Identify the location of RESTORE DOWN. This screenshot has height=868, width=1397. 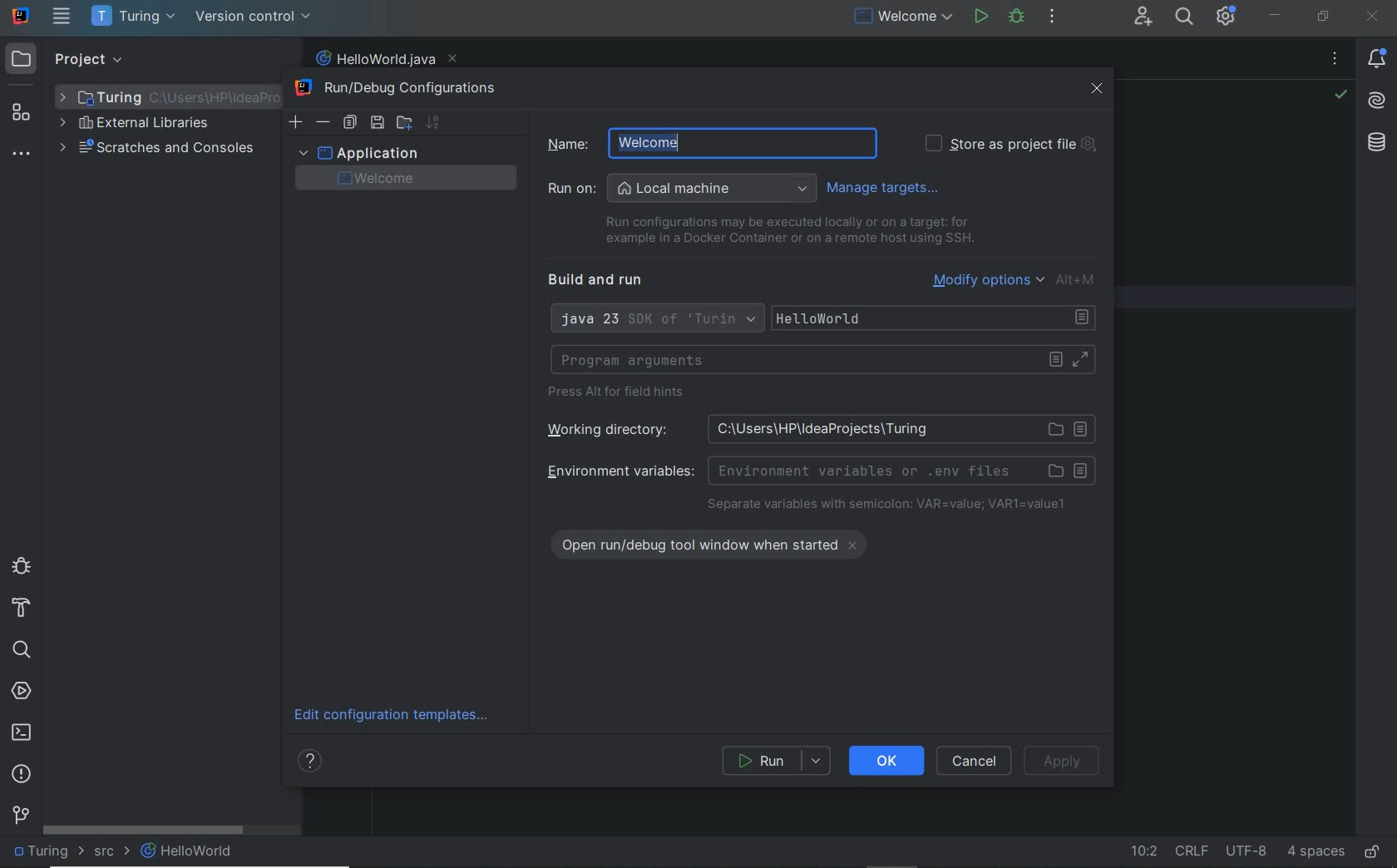
(1324, 16).